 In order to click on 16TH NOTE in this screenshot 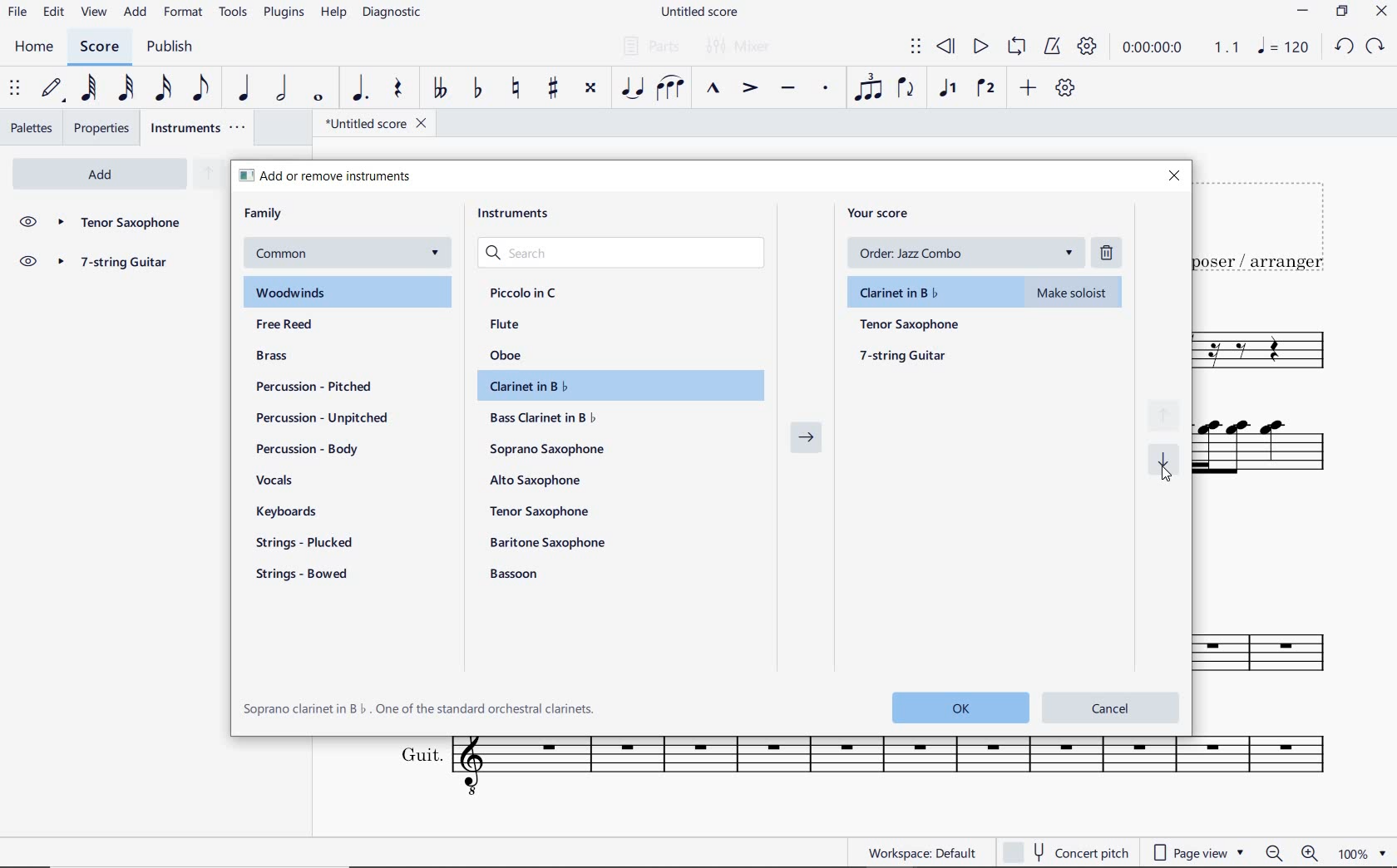, I will do `click(165, 87)`.